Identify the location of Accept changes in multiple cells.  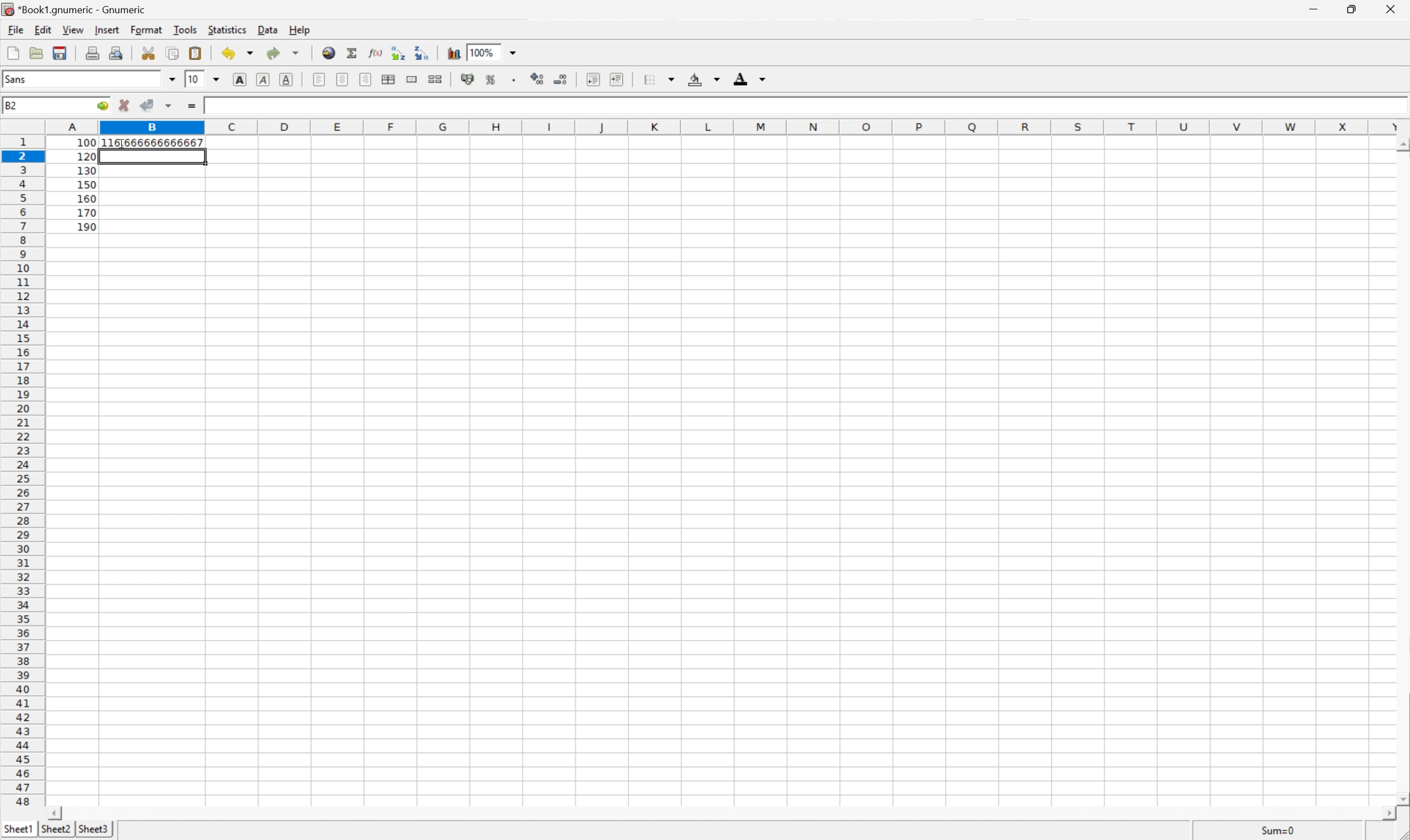
(168, 106).